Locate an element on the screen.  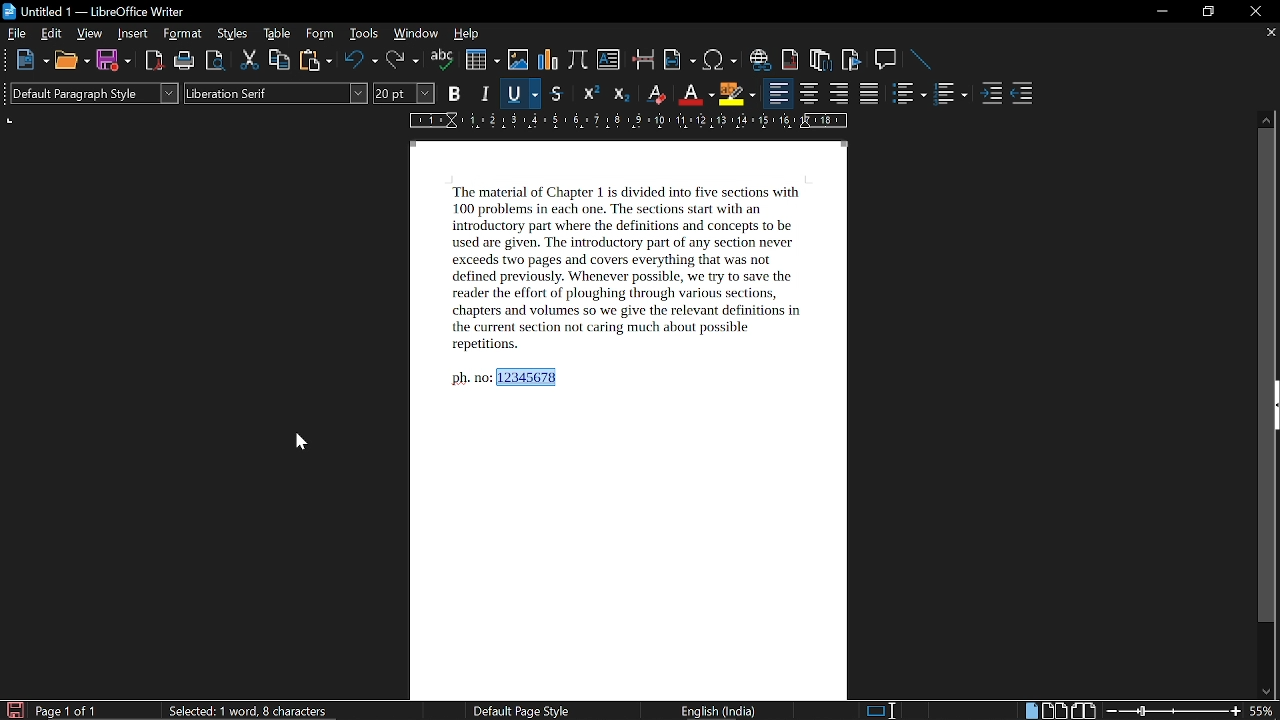
toggle ordered list is located at coordinates (951, 96).